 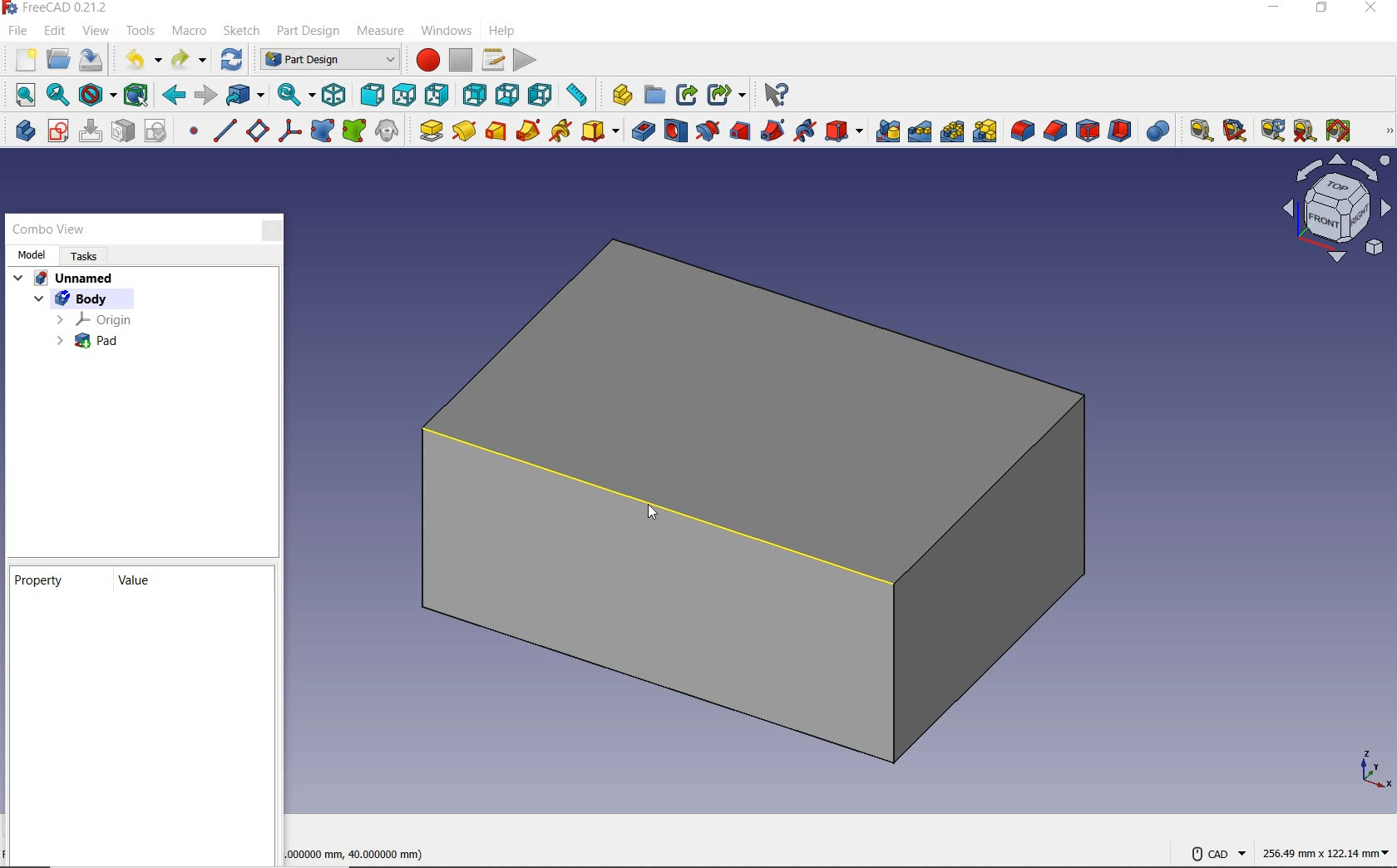 What do you see at coordinates (1371, 7) in the screenshot?
I see `close` at bounding box center [1371, 7].